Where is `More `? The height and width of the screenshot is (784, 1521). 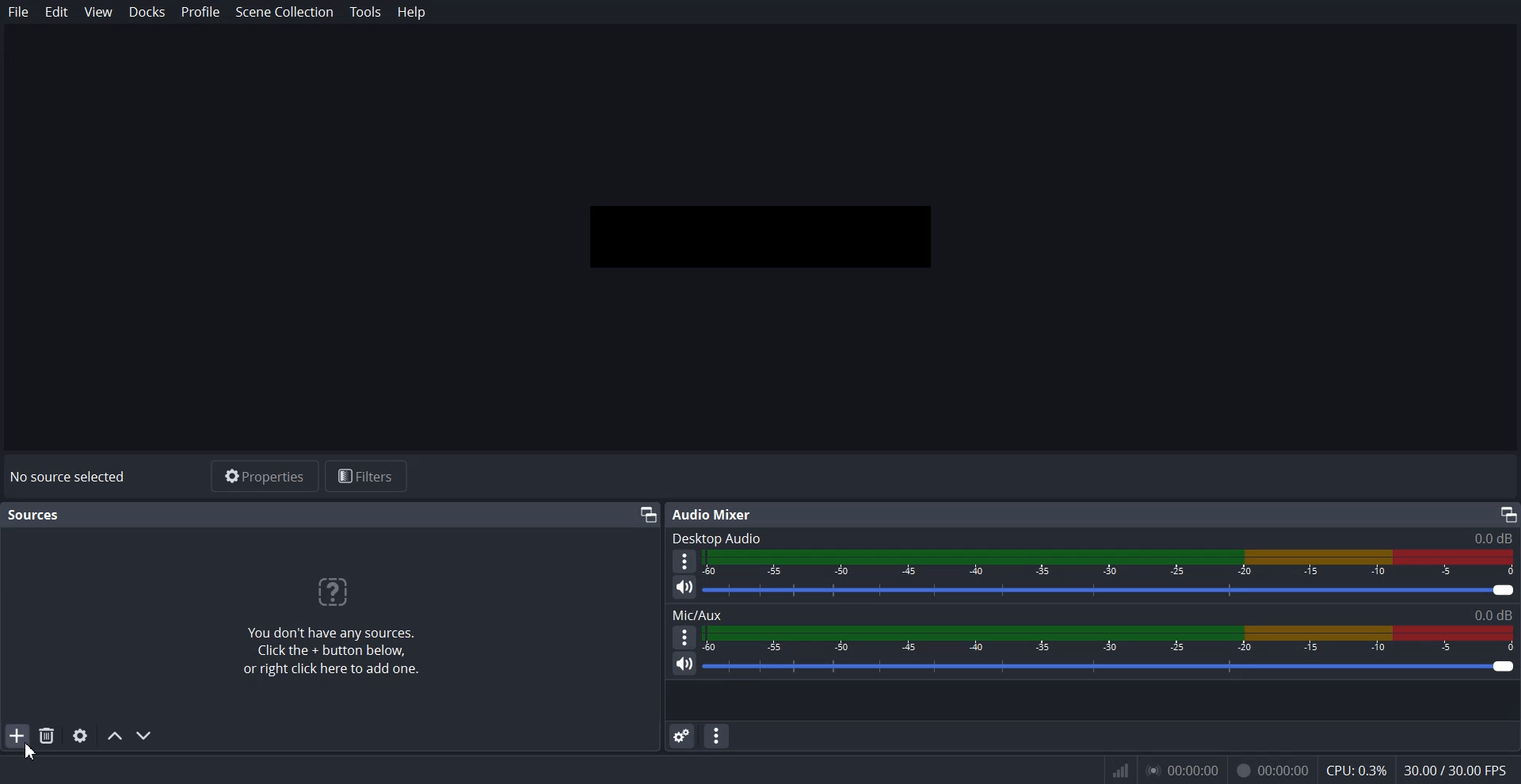
More  is located at coordinates (684, 561).